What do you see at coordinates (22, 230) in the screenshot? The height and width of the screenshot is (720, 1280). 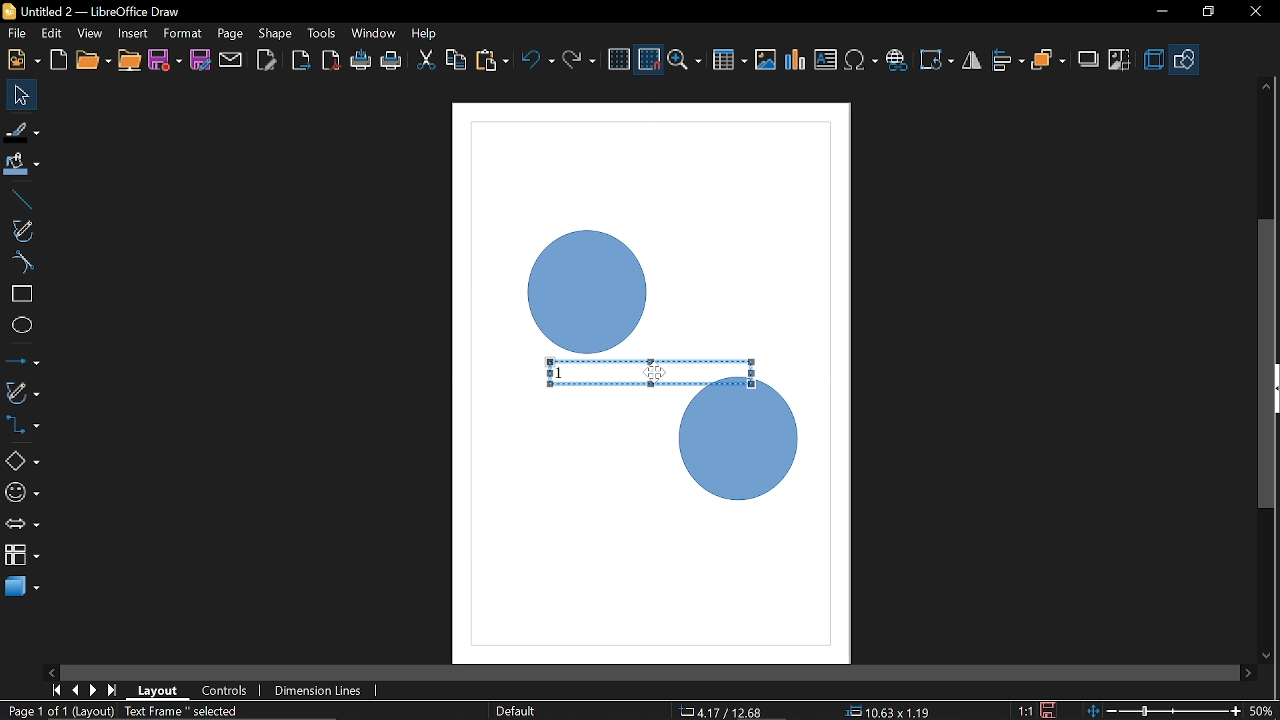 I see `Free from line` at bounding box center [22, 230].